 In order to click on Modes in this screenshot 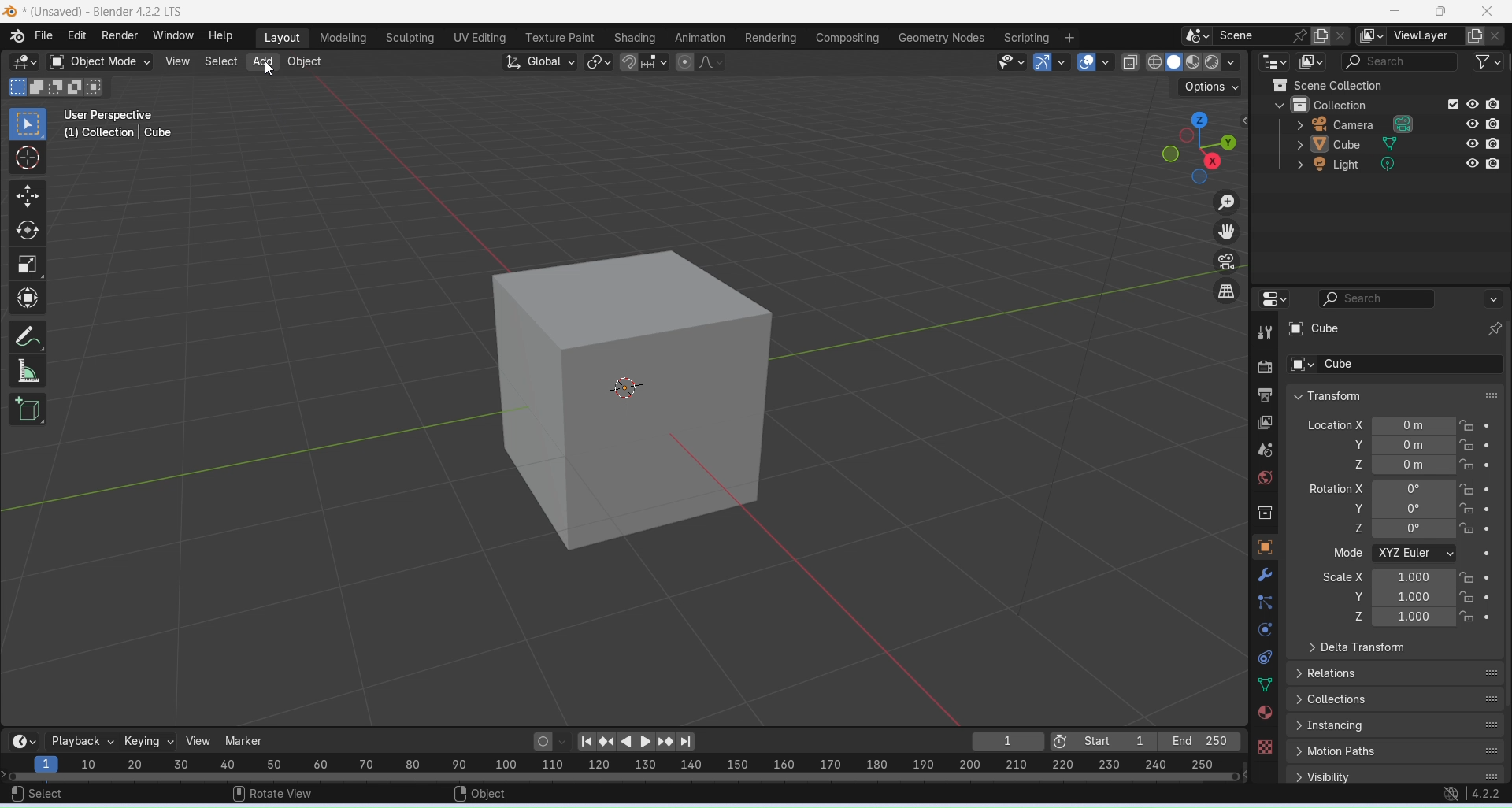, I will do `click(54, 86)`.